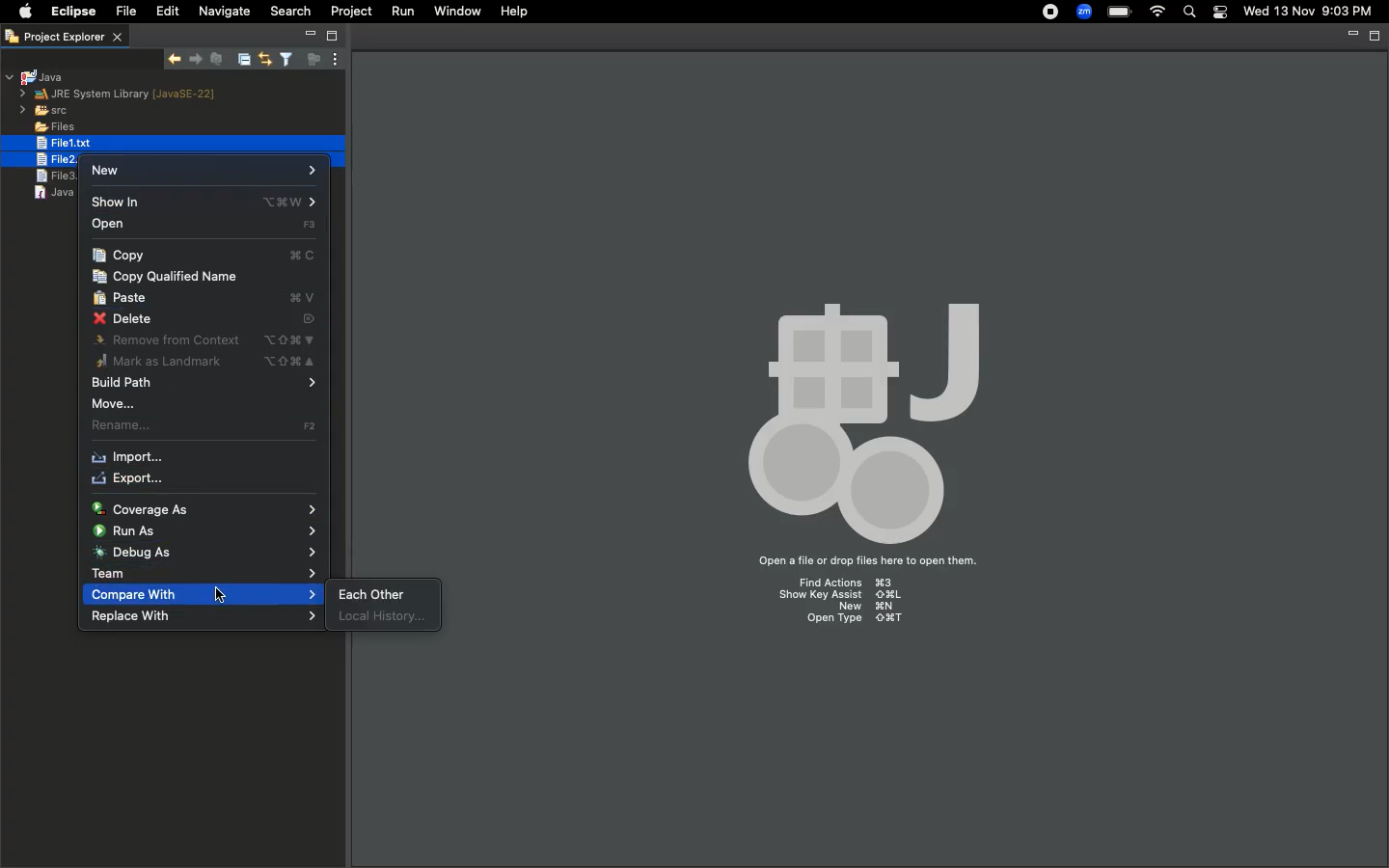  I want to click on file3.text, so click(41, 179).